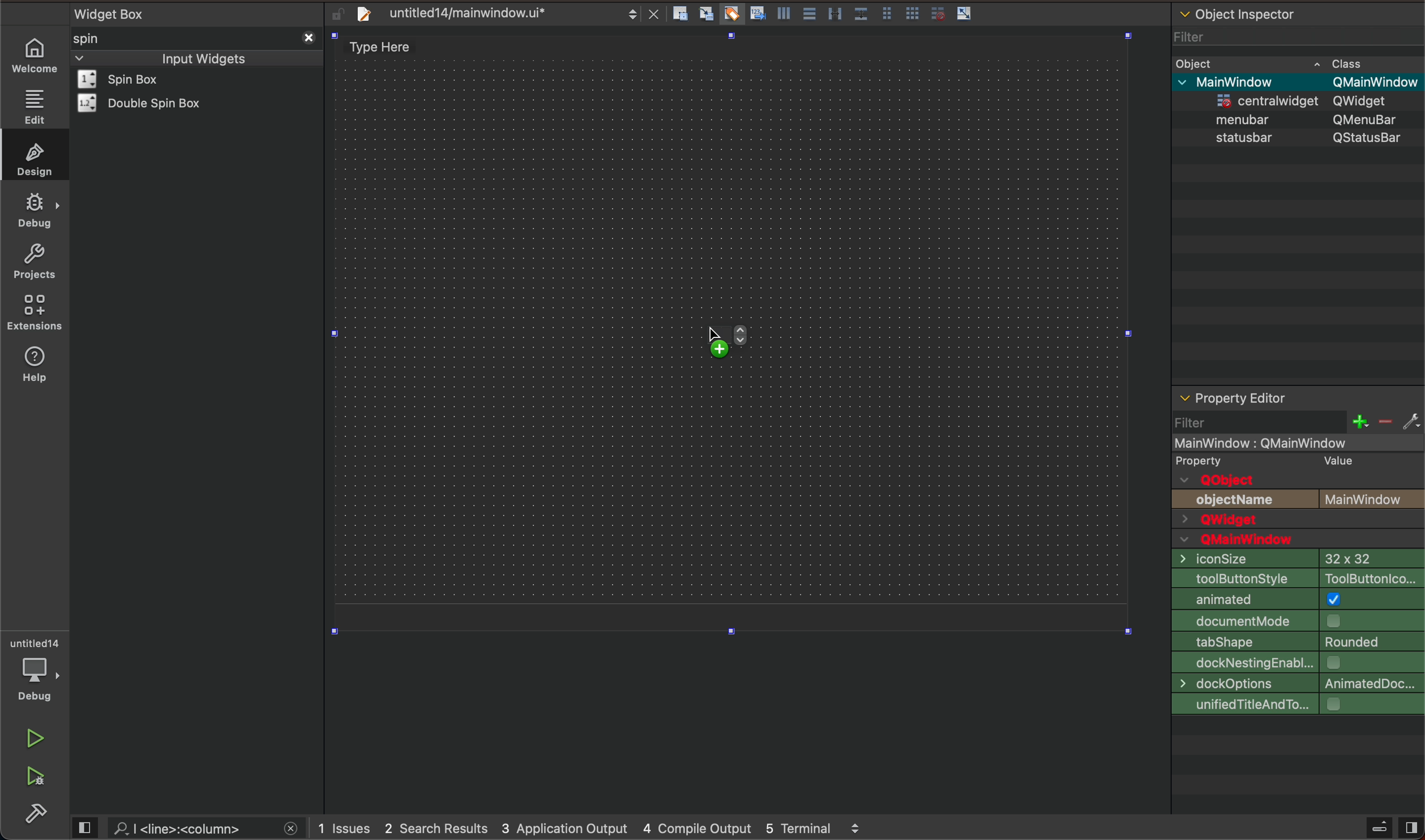 This screenshot has width=1425, height=840. Describe the element at coordinates (1369, 137) in the screenshot. I see `` at that location.